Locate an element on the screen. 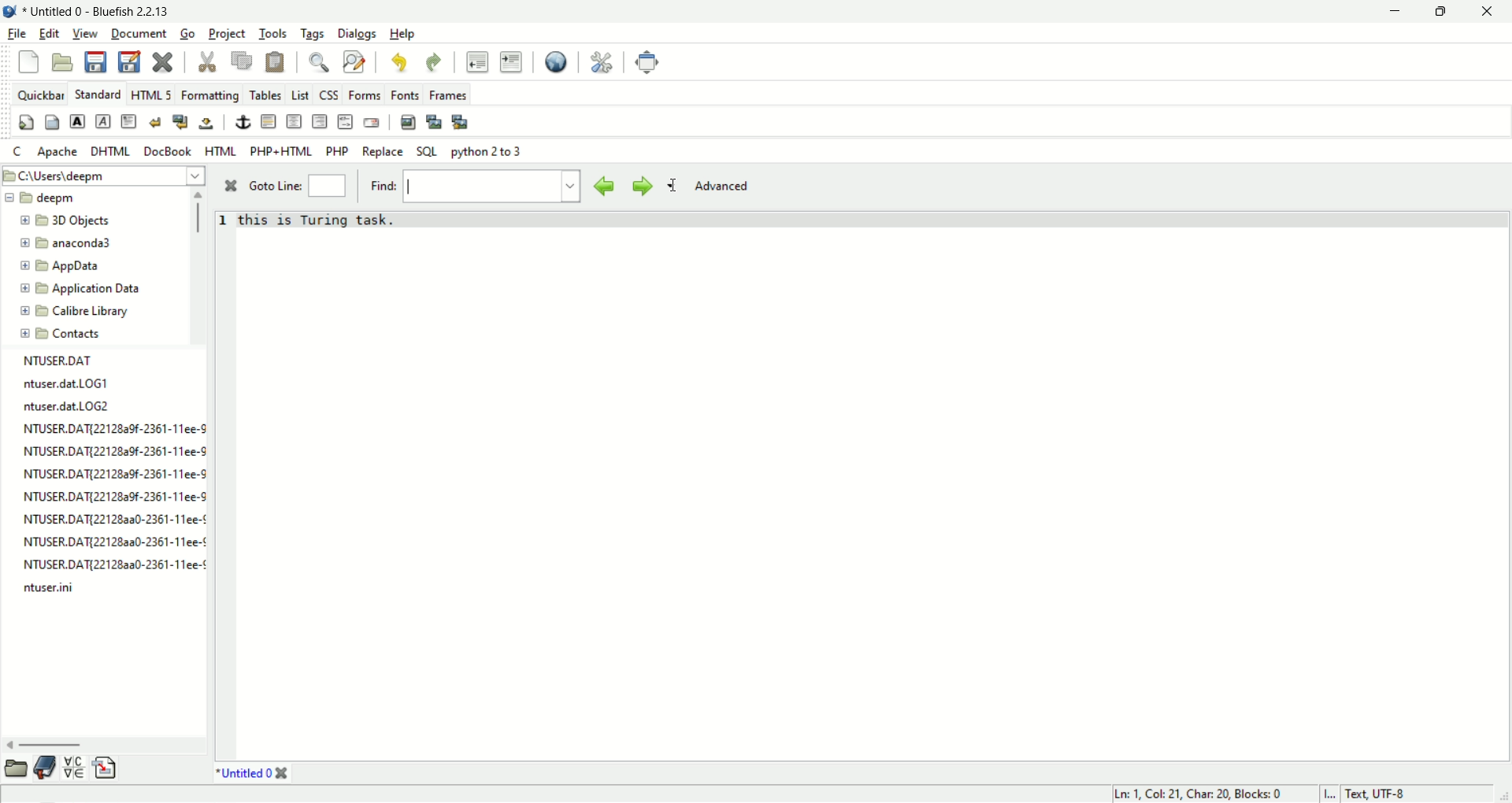 This screenshot has height=803, width=1512. DocBook is located at coordinates (167, 151).